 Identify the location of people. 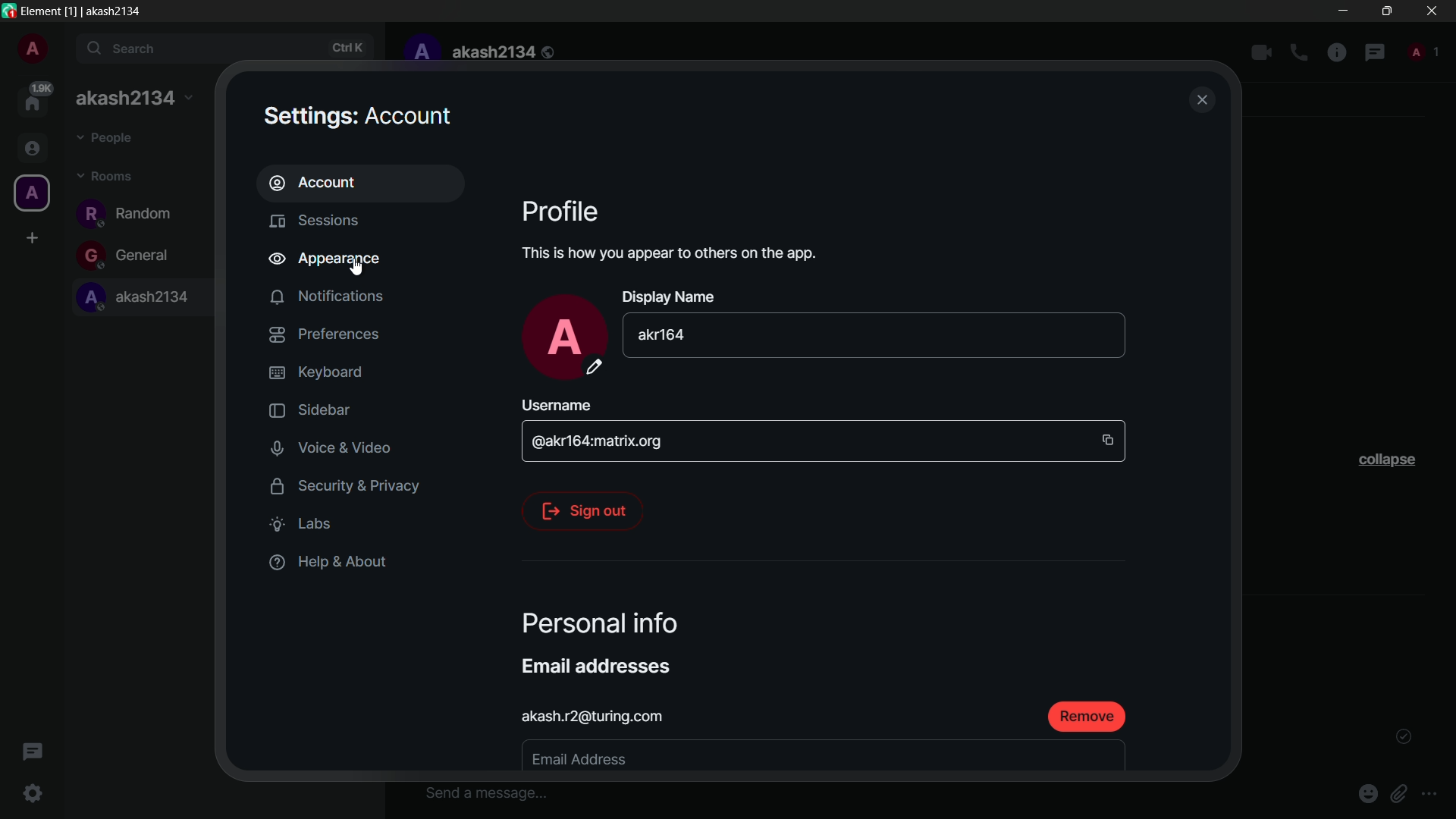
(1422, 50).